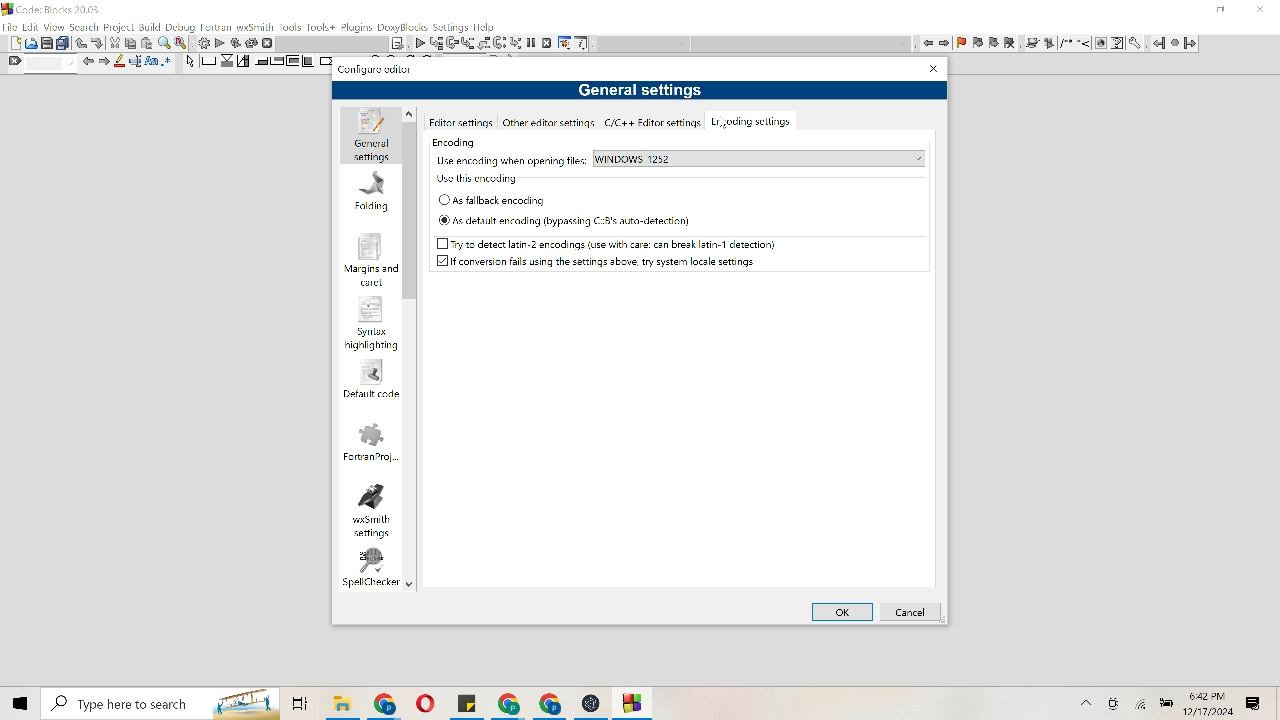 This screenshot has height=720, width=1280. What do you see at coordinates (98, 43) in the screenshot?
I see `Move down` at bounding box center [98, 43].